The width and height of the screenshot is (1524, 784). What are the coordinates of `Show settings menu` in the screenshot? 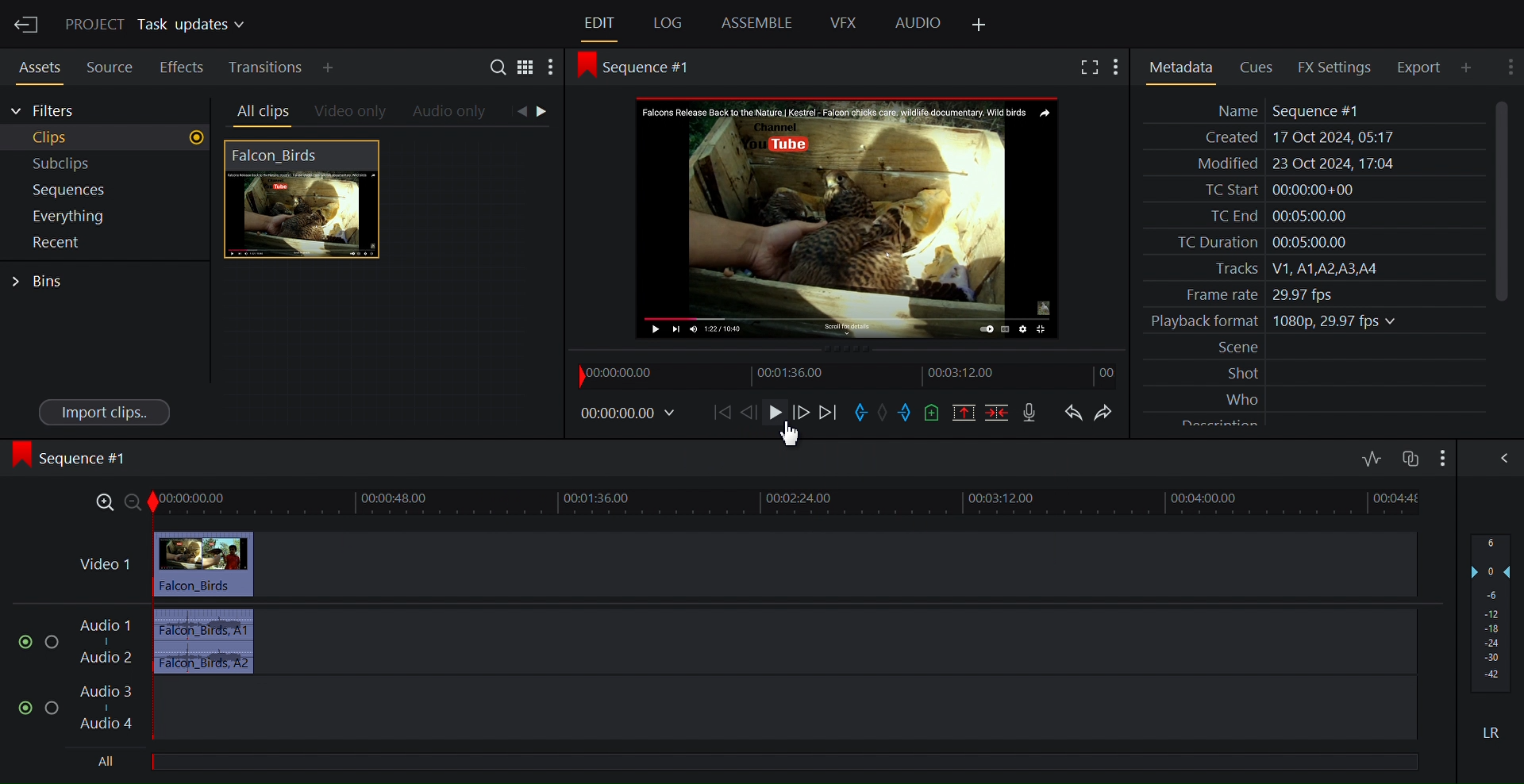 It's located at (1120, 67).